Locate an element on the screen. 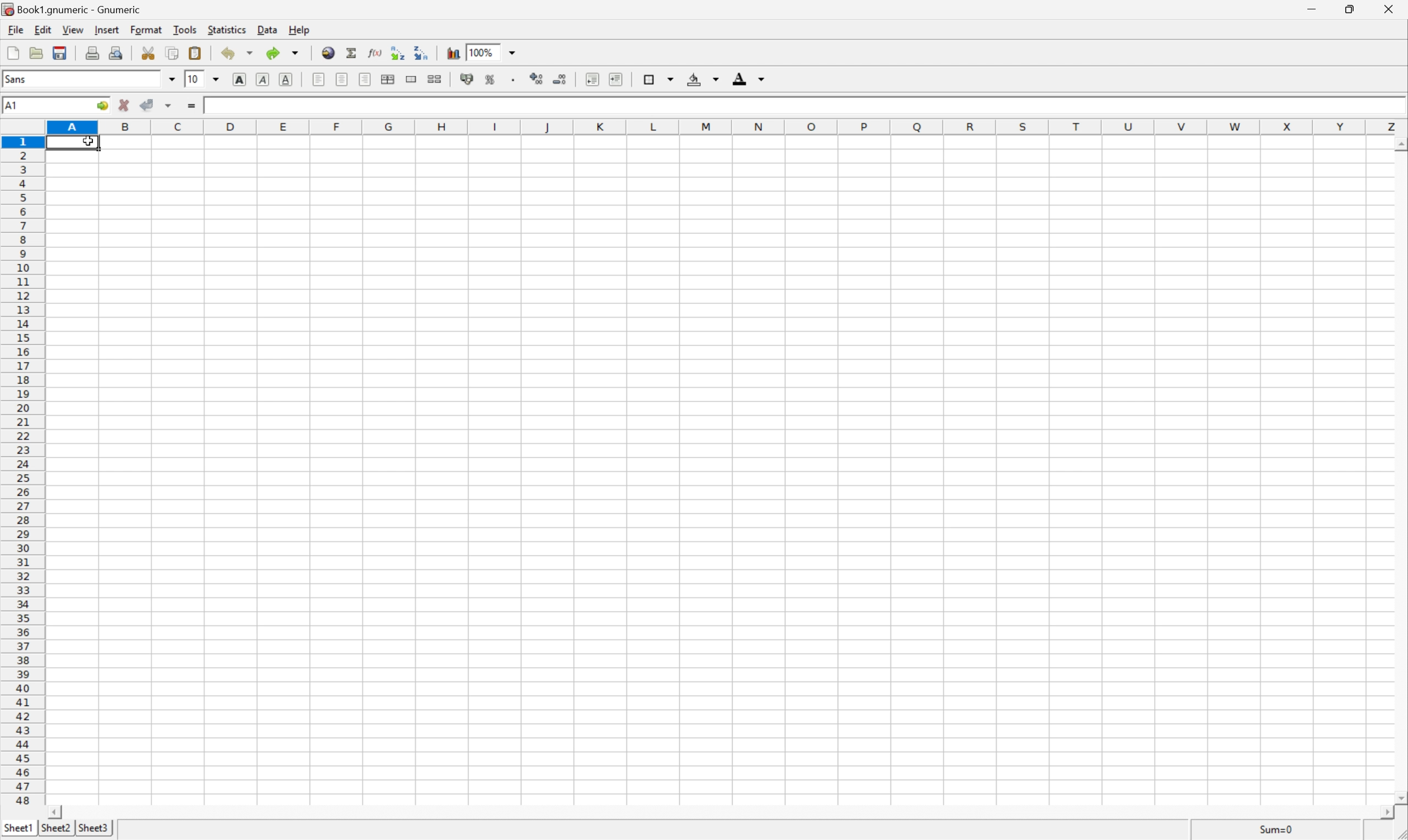 This screenshot has width=1408, height=840. view is located at coordinates (71, 31).